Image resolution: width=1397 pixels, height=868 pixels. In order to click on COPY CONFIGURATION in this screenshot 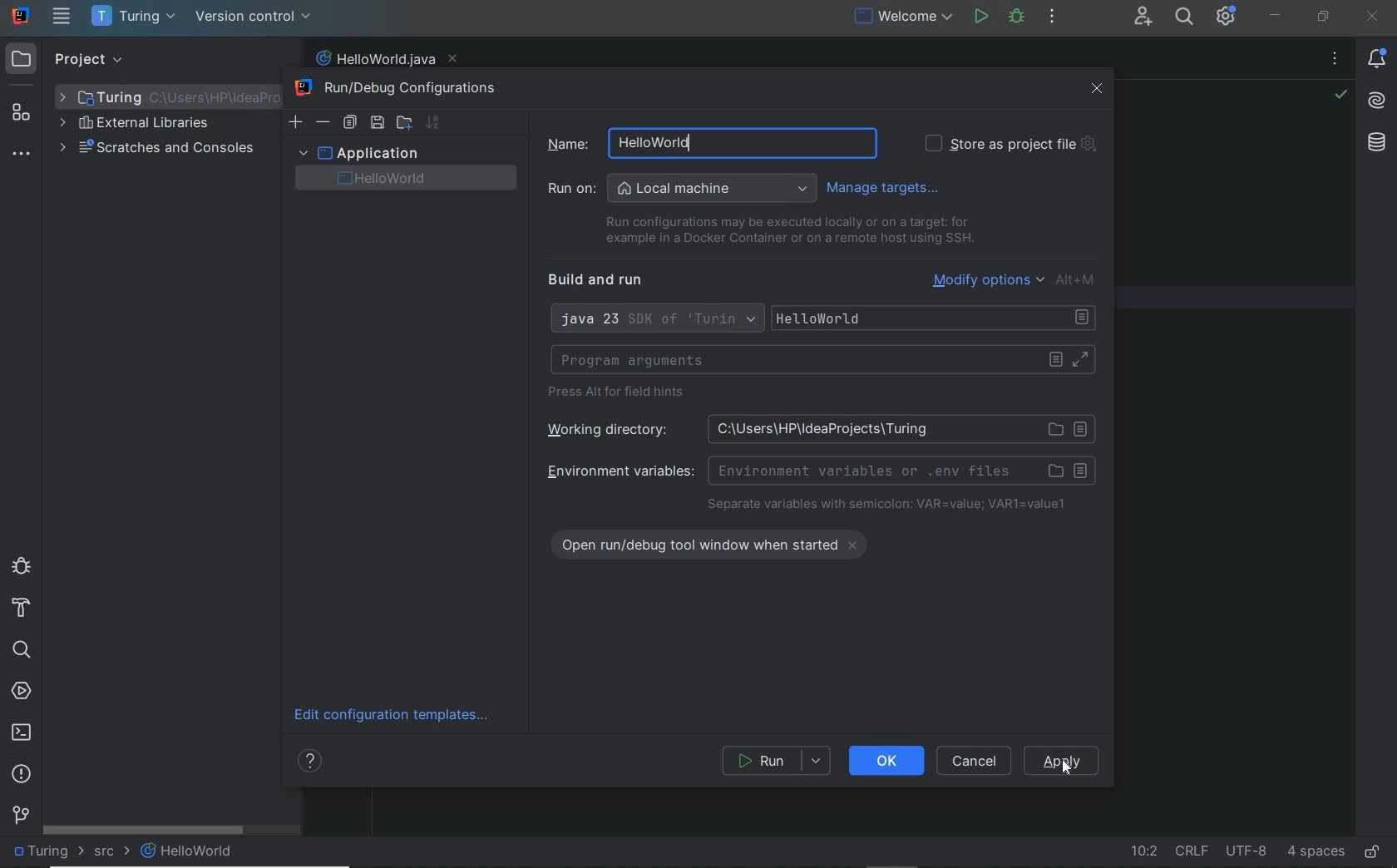, I will do `click(349, 123)`.